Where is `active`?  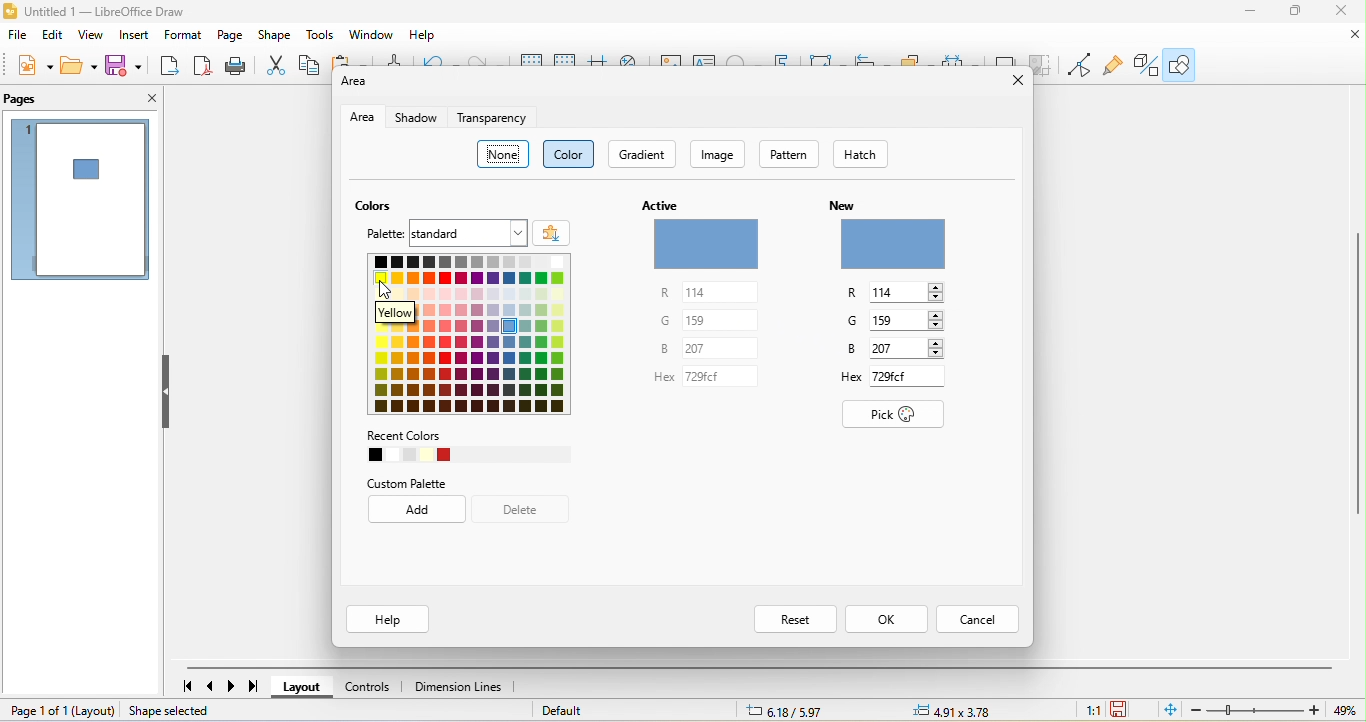 active is located at coordinates (707, 234).